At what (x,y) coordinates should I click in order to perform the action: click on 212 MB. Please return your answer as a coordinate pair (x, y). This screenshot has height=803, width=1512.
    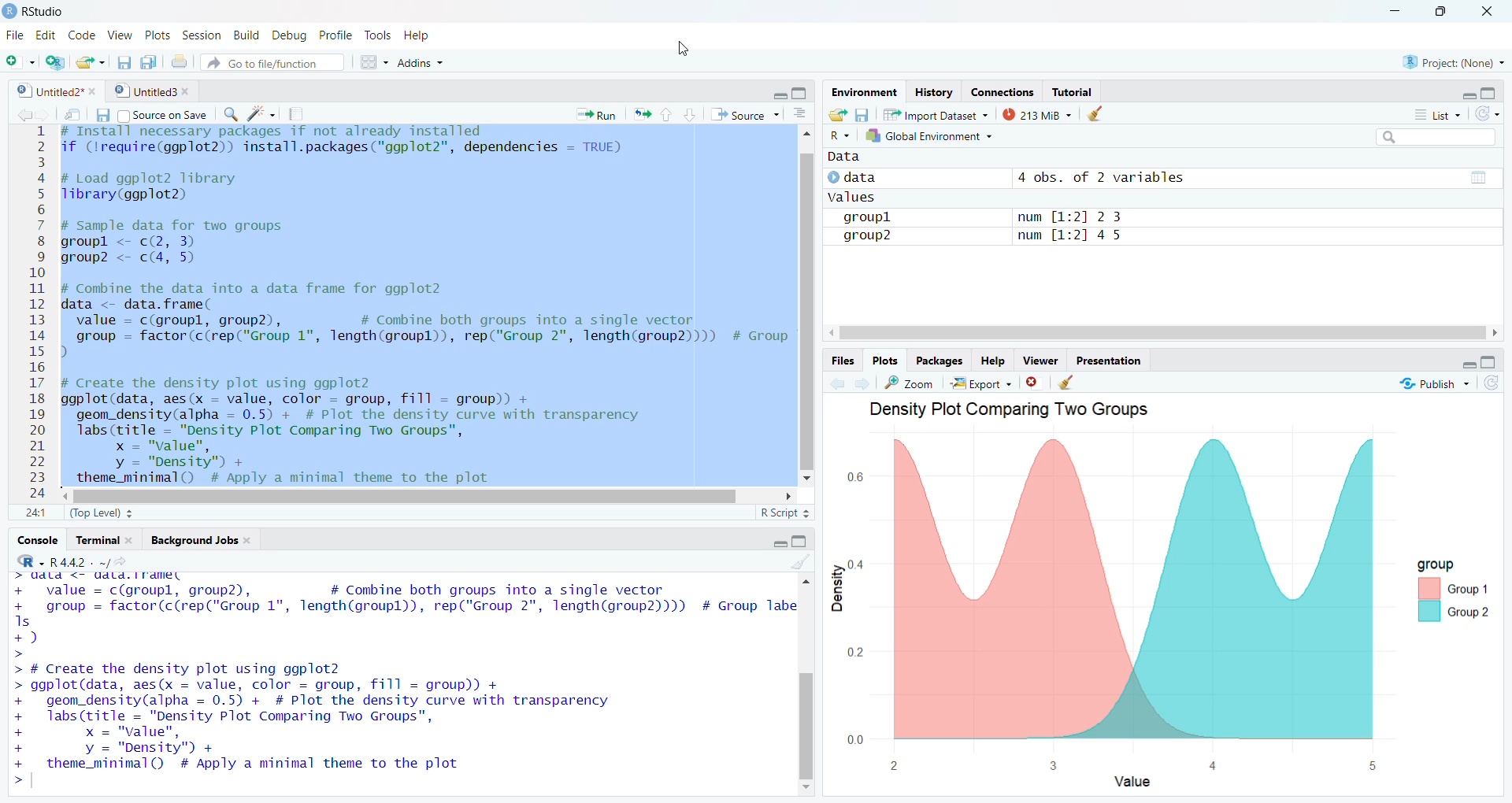
    Looking at the image, I should click on (1038, 114).